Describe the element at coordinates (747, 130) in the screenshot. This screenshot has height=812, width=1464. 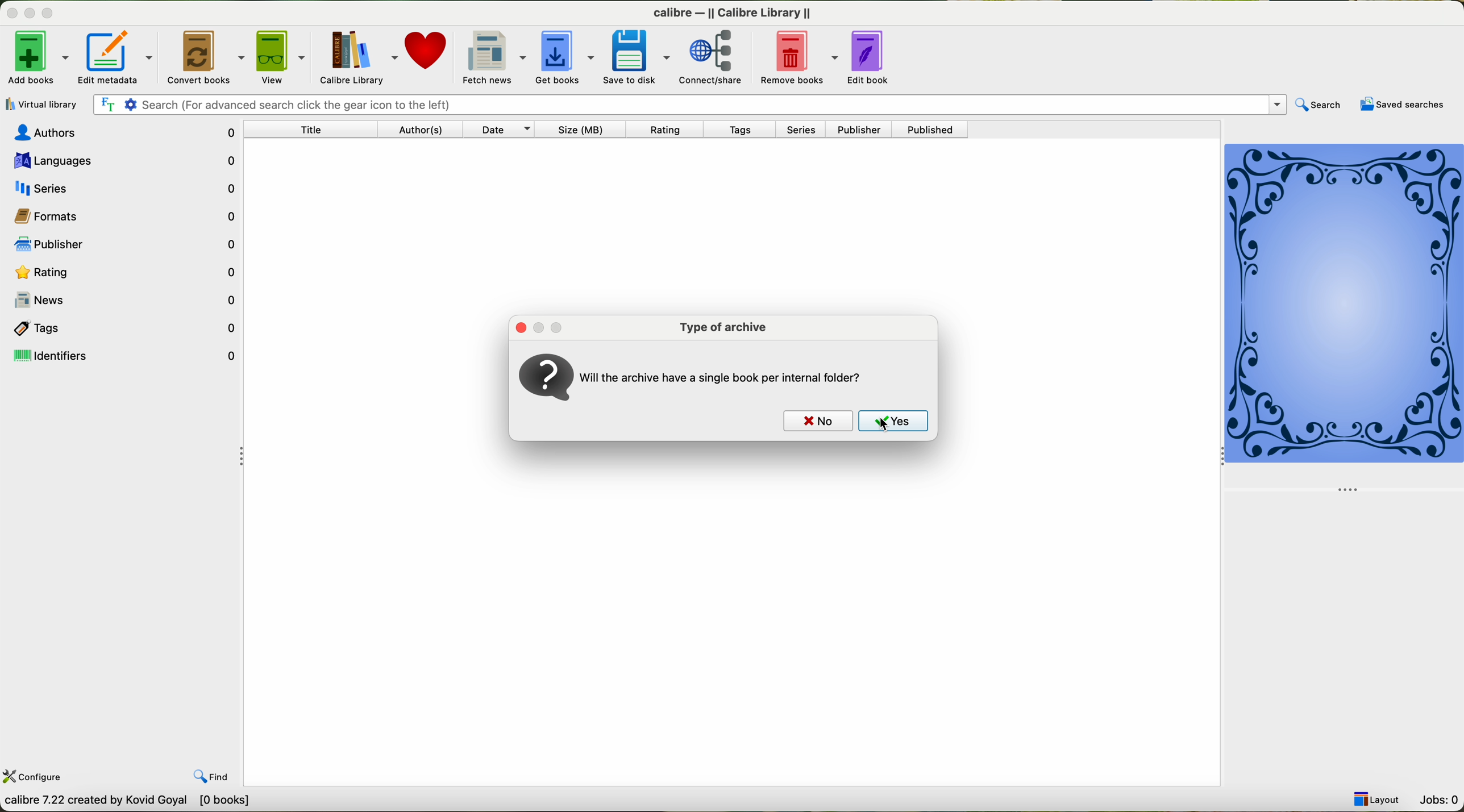
I see `tags` at that location.